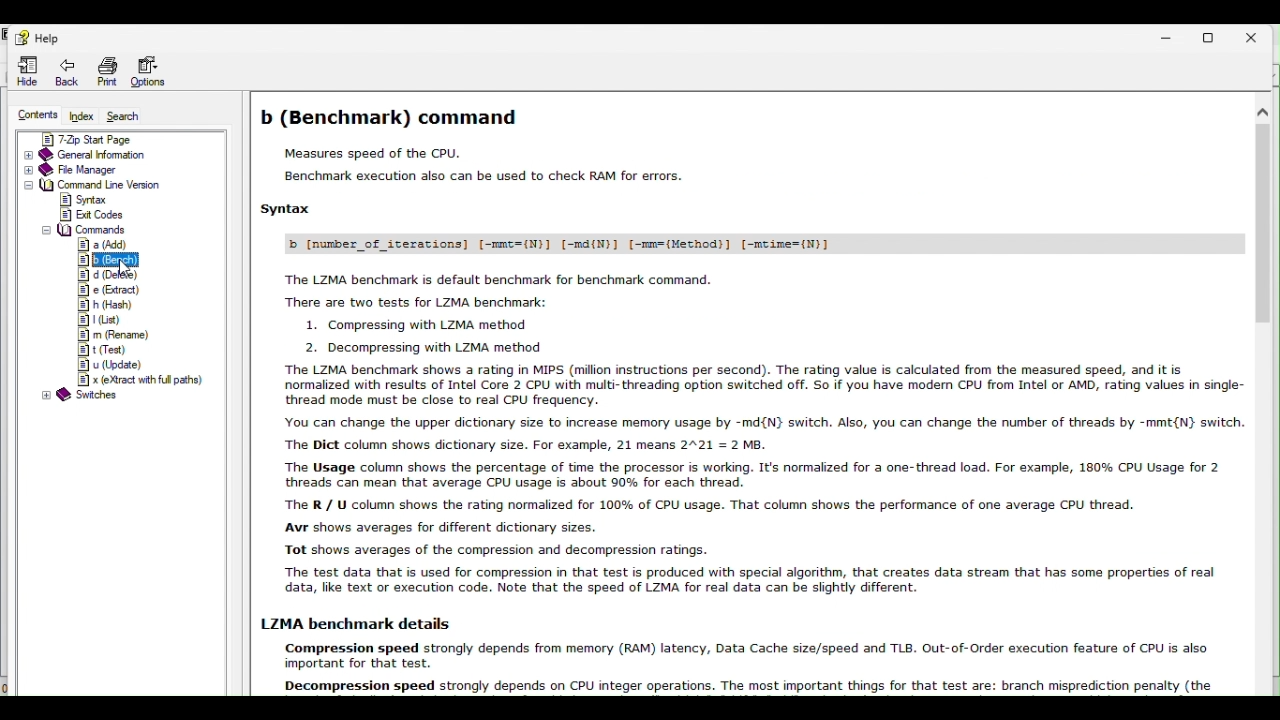 This screenshot has width=1280, height=720. I want to click on l, so click(104, 320).